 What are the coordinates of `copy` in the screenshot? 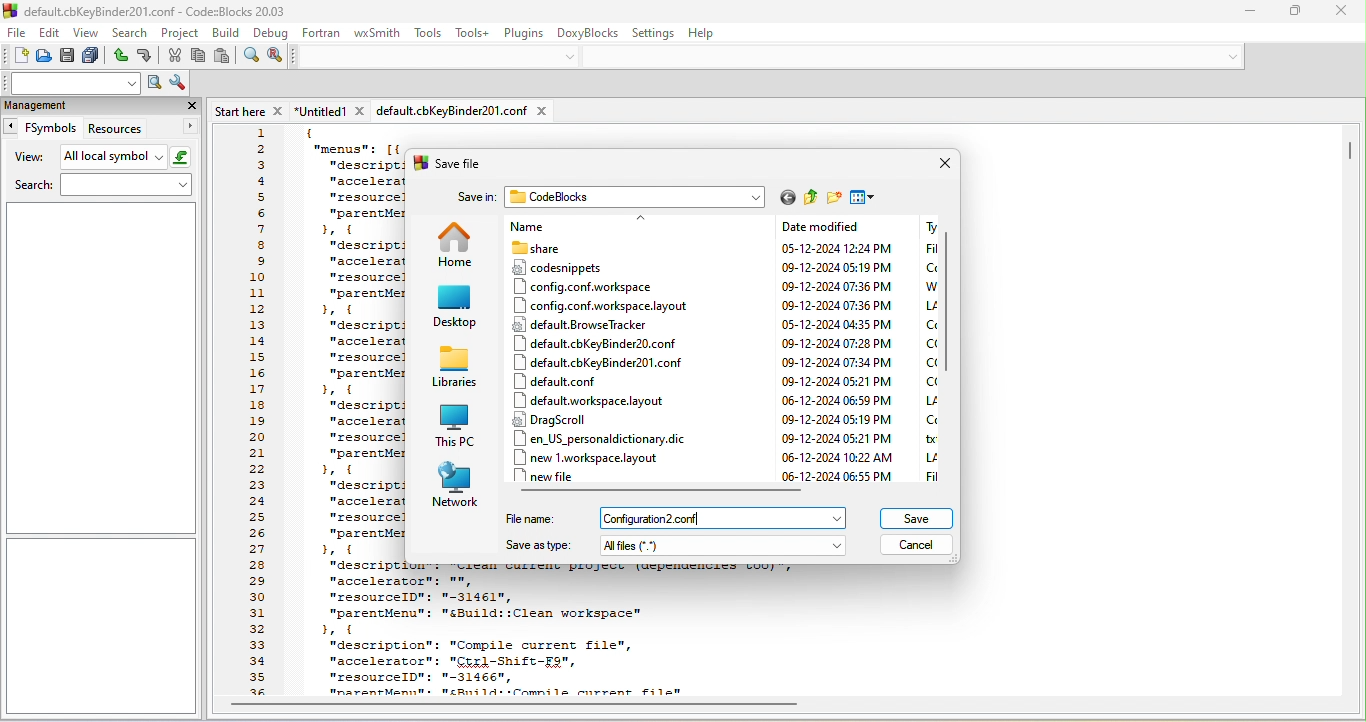 It's located at (198, 57).